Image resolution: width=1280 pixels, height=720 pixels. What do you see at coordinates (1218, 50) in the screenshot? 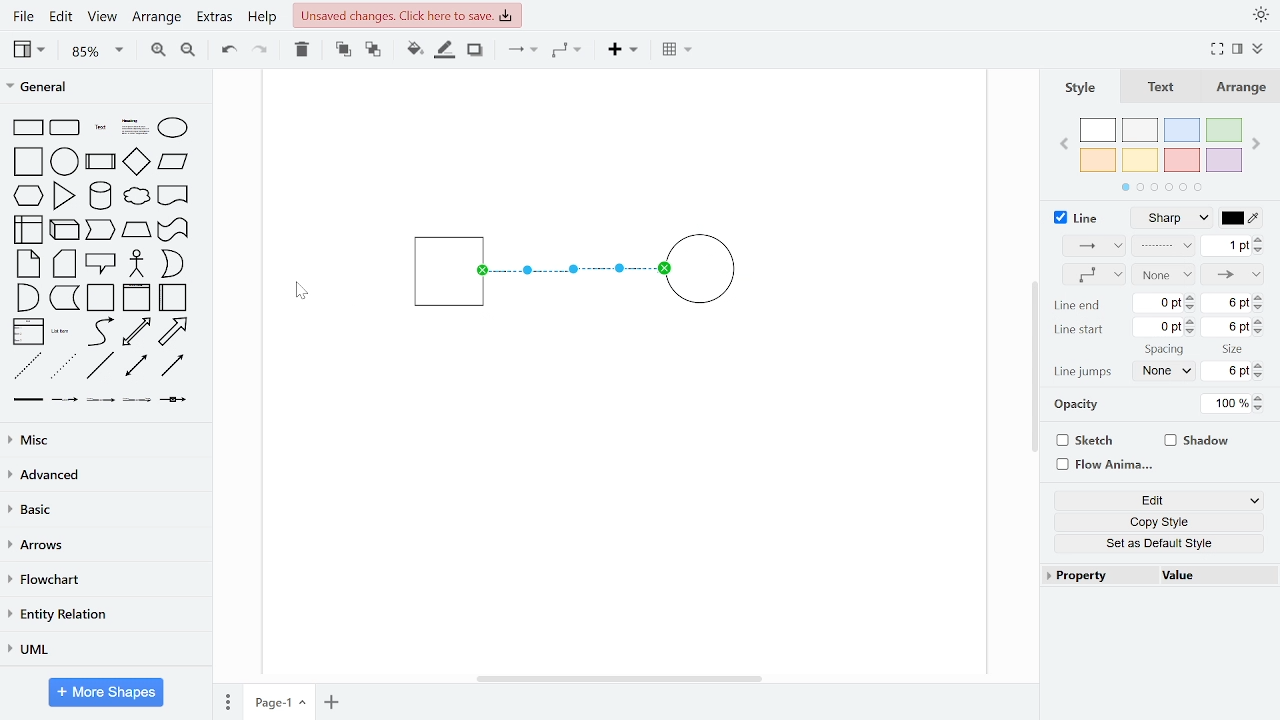
I see `full screen` at bounding box center [1218, 50].